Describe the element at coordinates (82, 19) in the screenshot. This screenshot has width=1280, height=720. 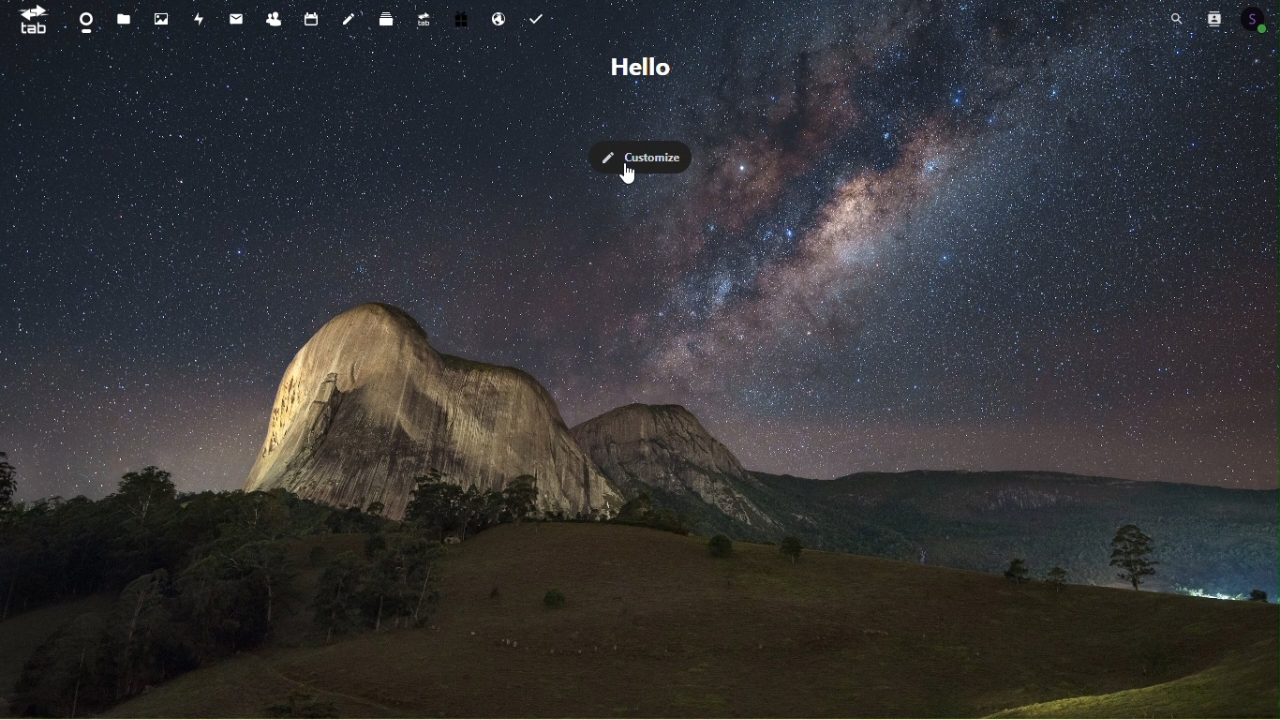
I see `Dashboard` at that location.